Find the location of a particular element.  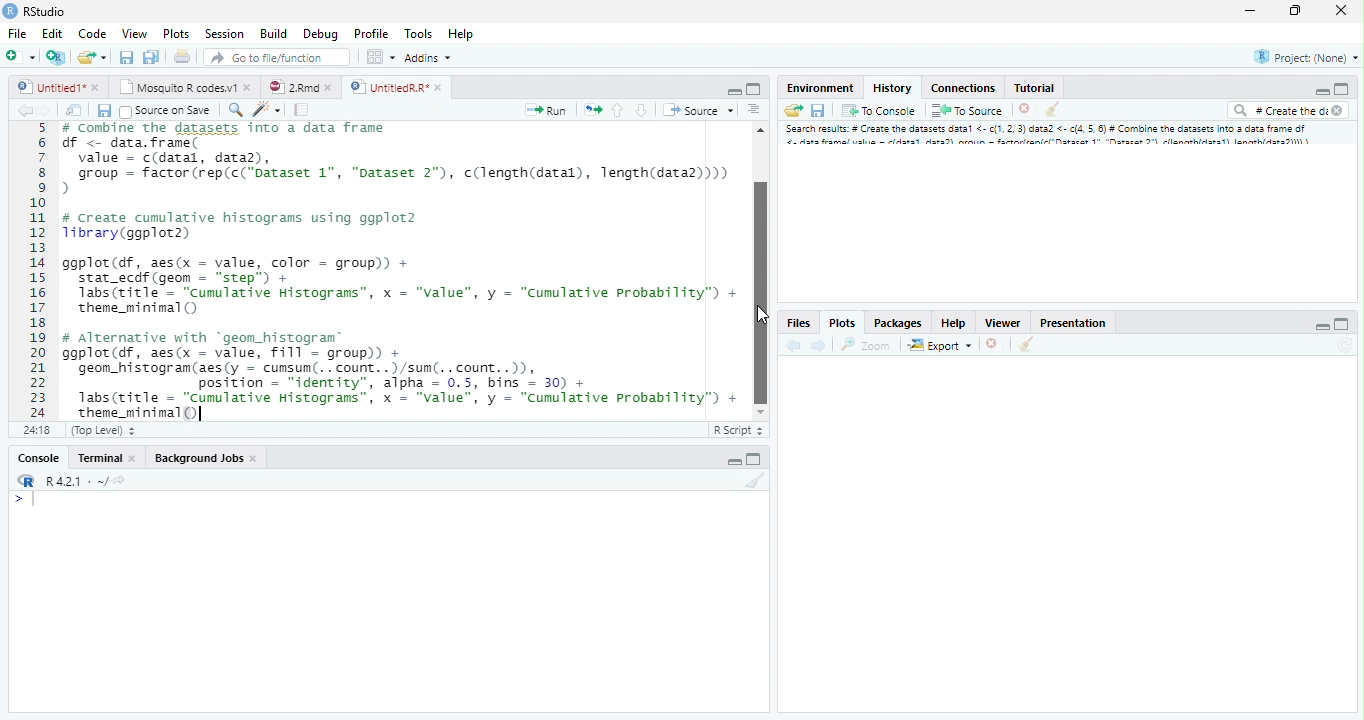

Plots is located at coordinates (841, 322).